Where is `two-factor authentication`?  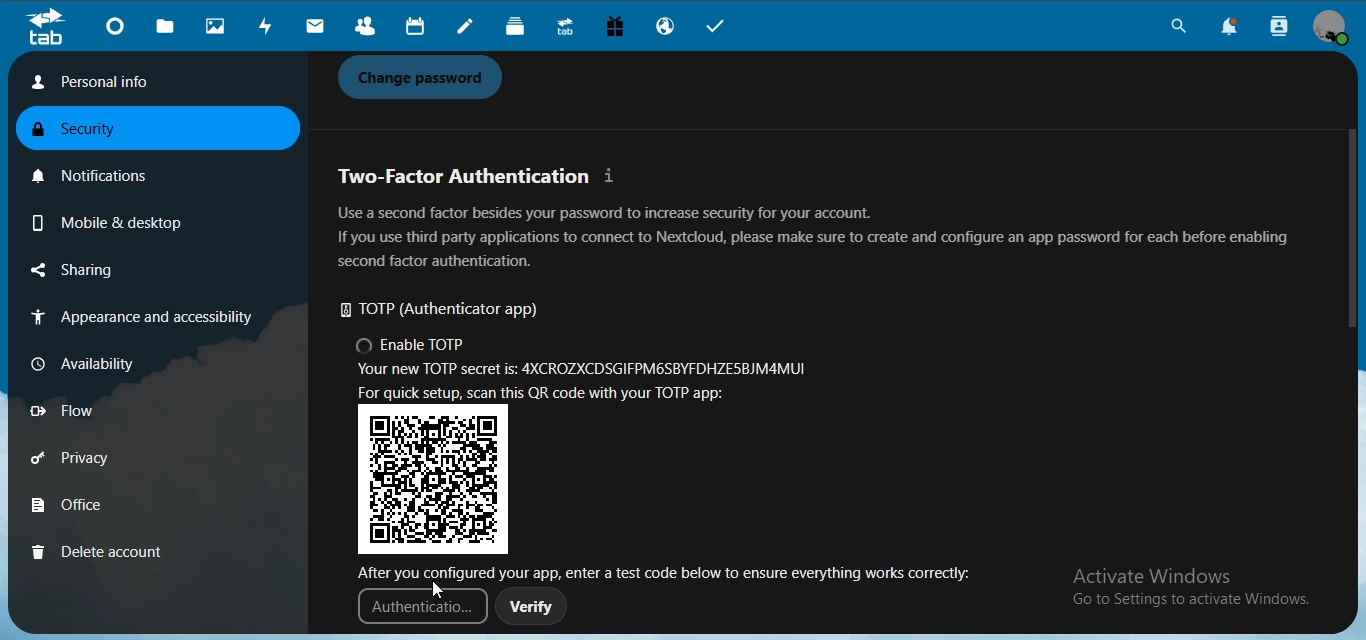 two-factor authentication is located at coordinates (480, 176).